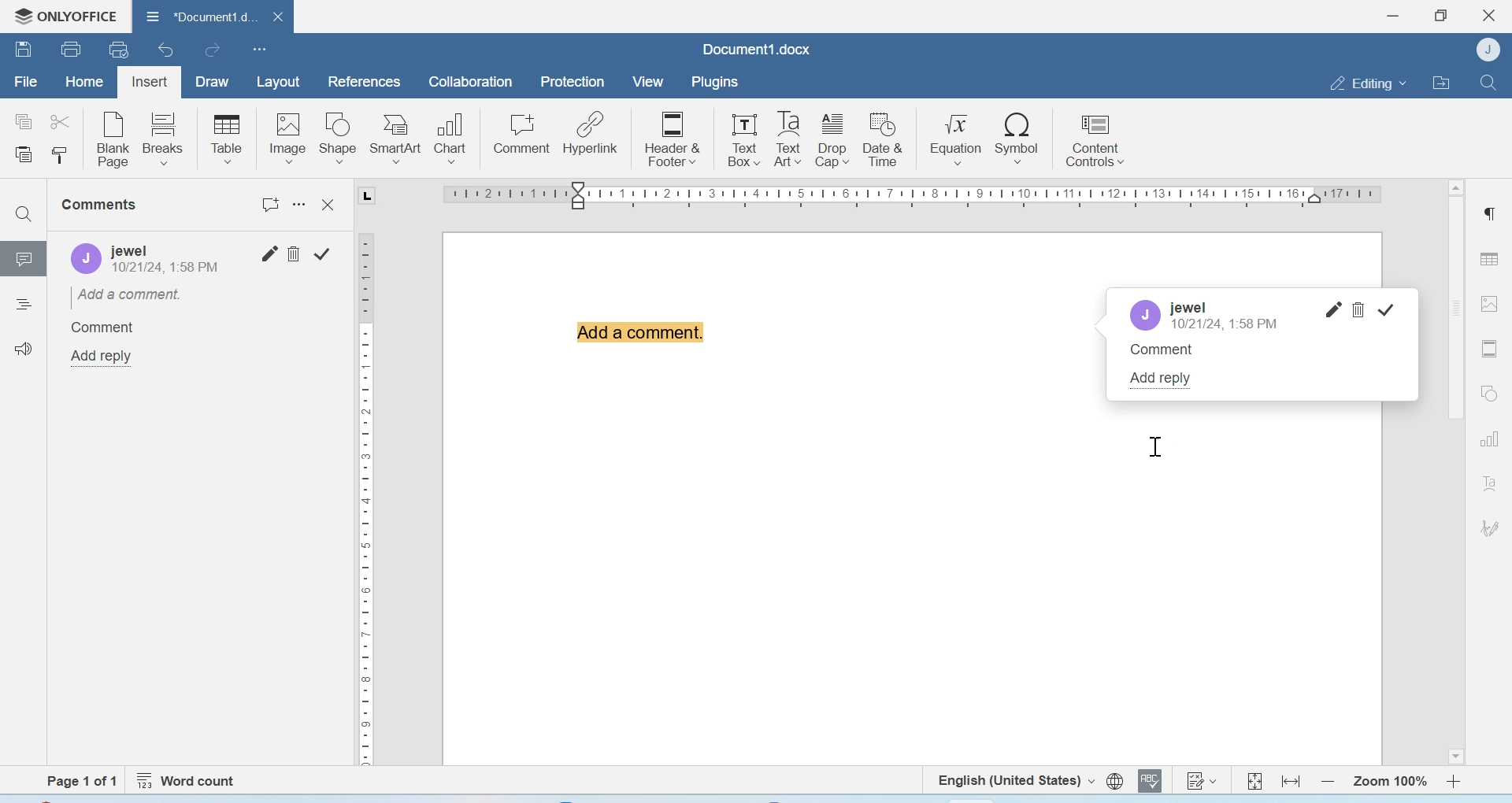 The width and height of the screenshot is (1512, 803). I want to click on jewel, so click(1188, 308).